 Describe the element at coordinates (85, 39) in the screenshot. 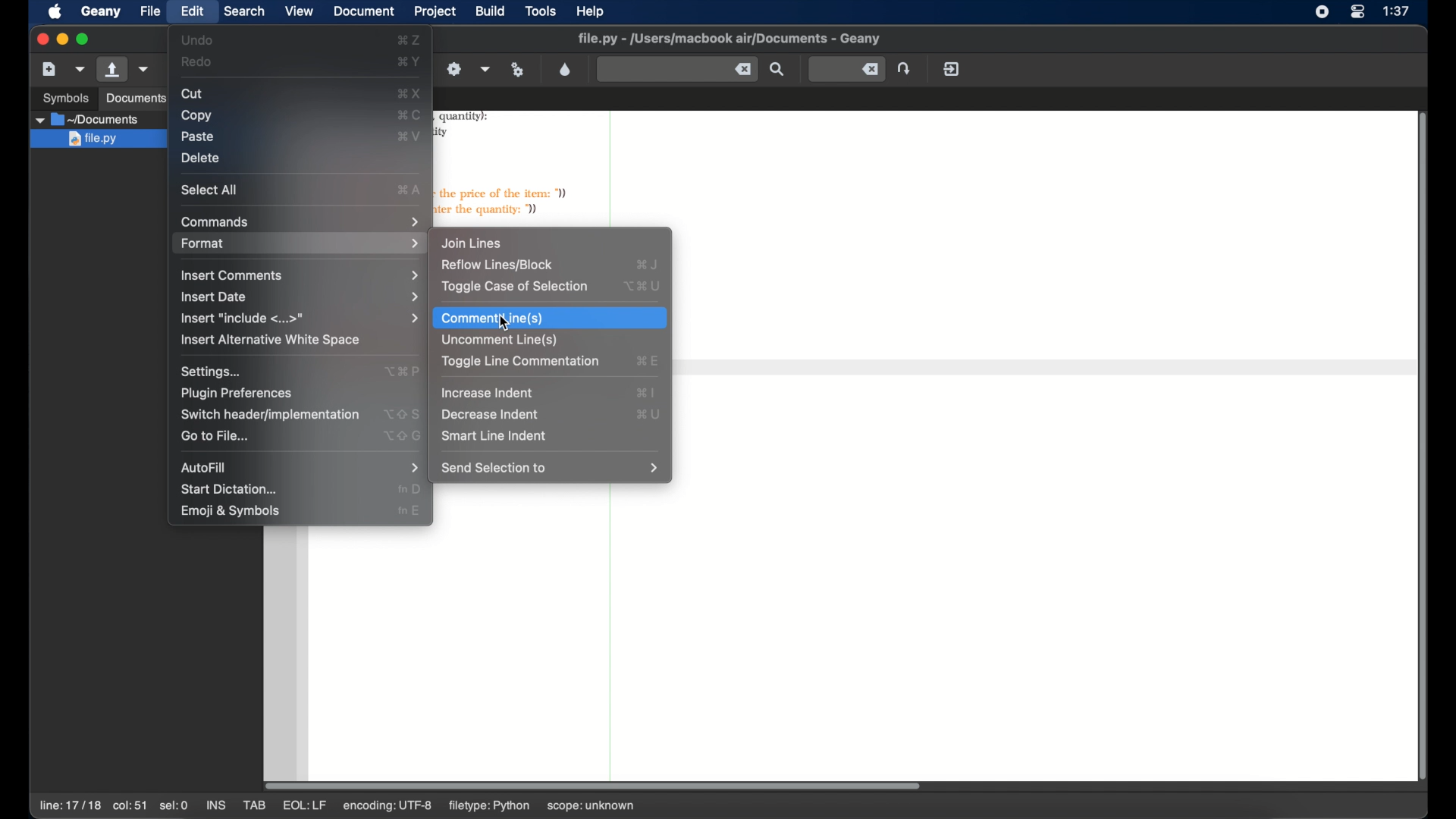

I see `maximize` at that location.